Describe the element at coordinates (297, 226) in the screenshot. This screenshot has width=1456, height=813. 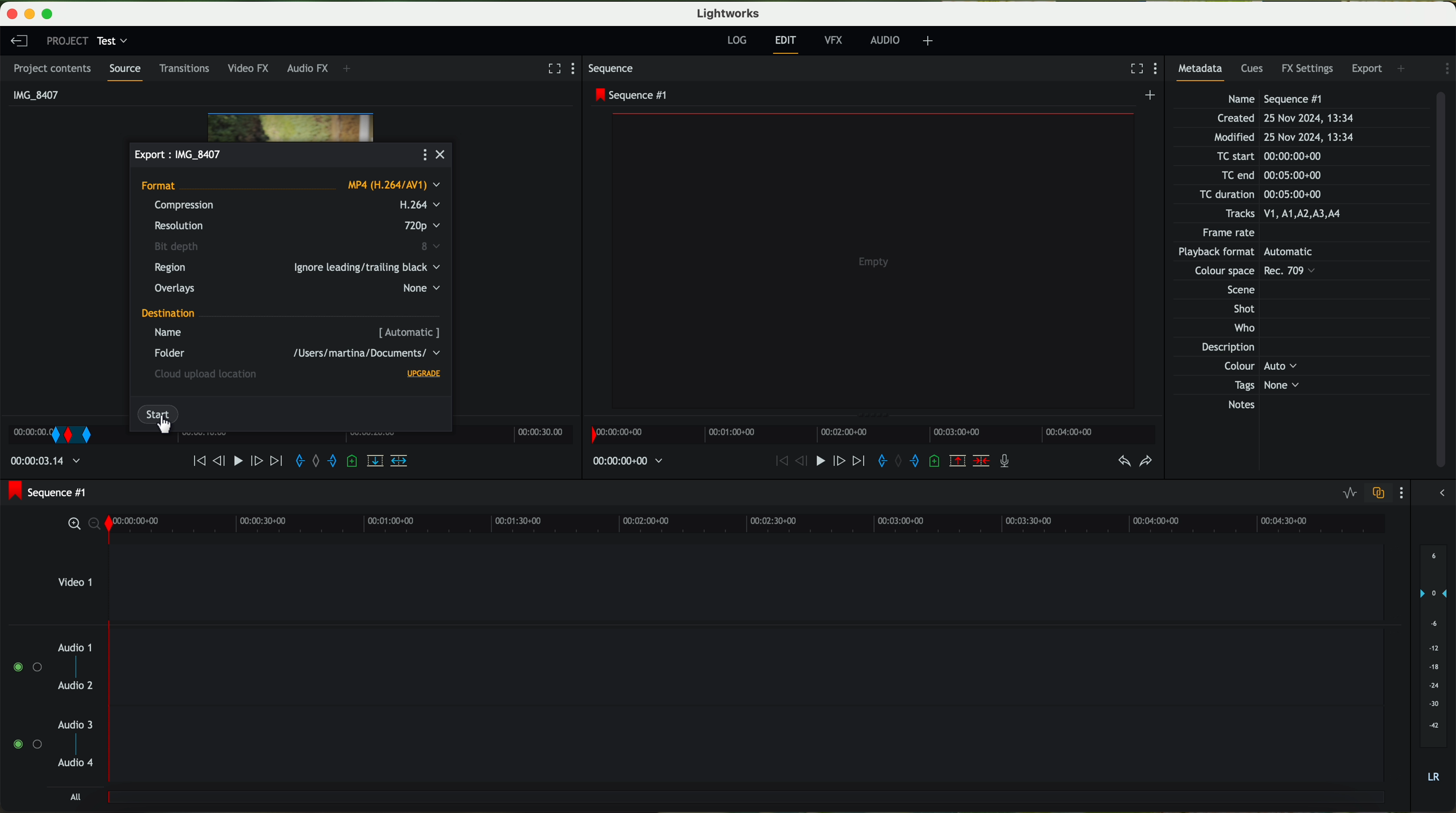
I see `resolution` at that location.